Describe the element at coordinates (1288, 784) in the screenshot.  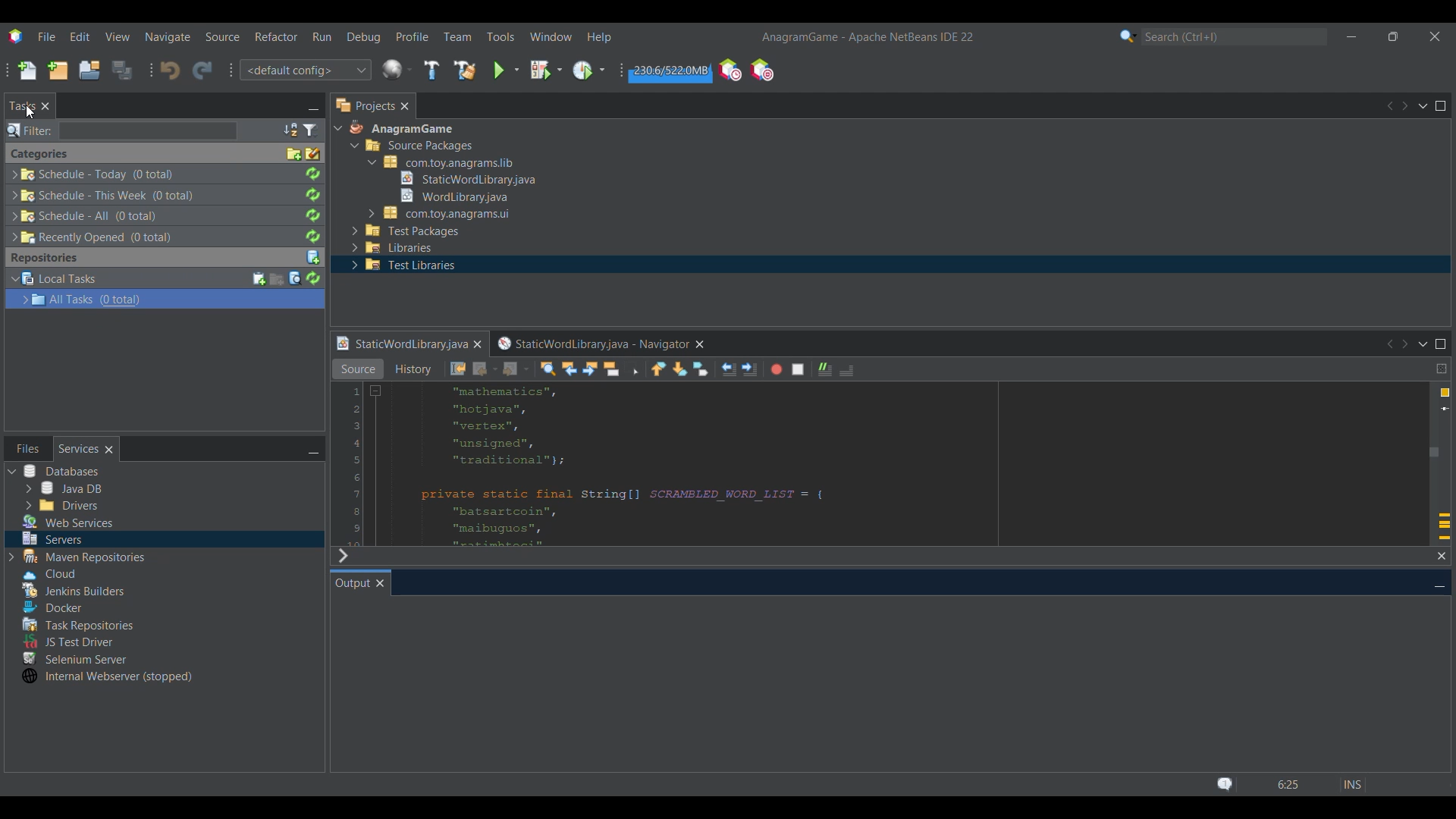
I see `Status bar details` at that location.